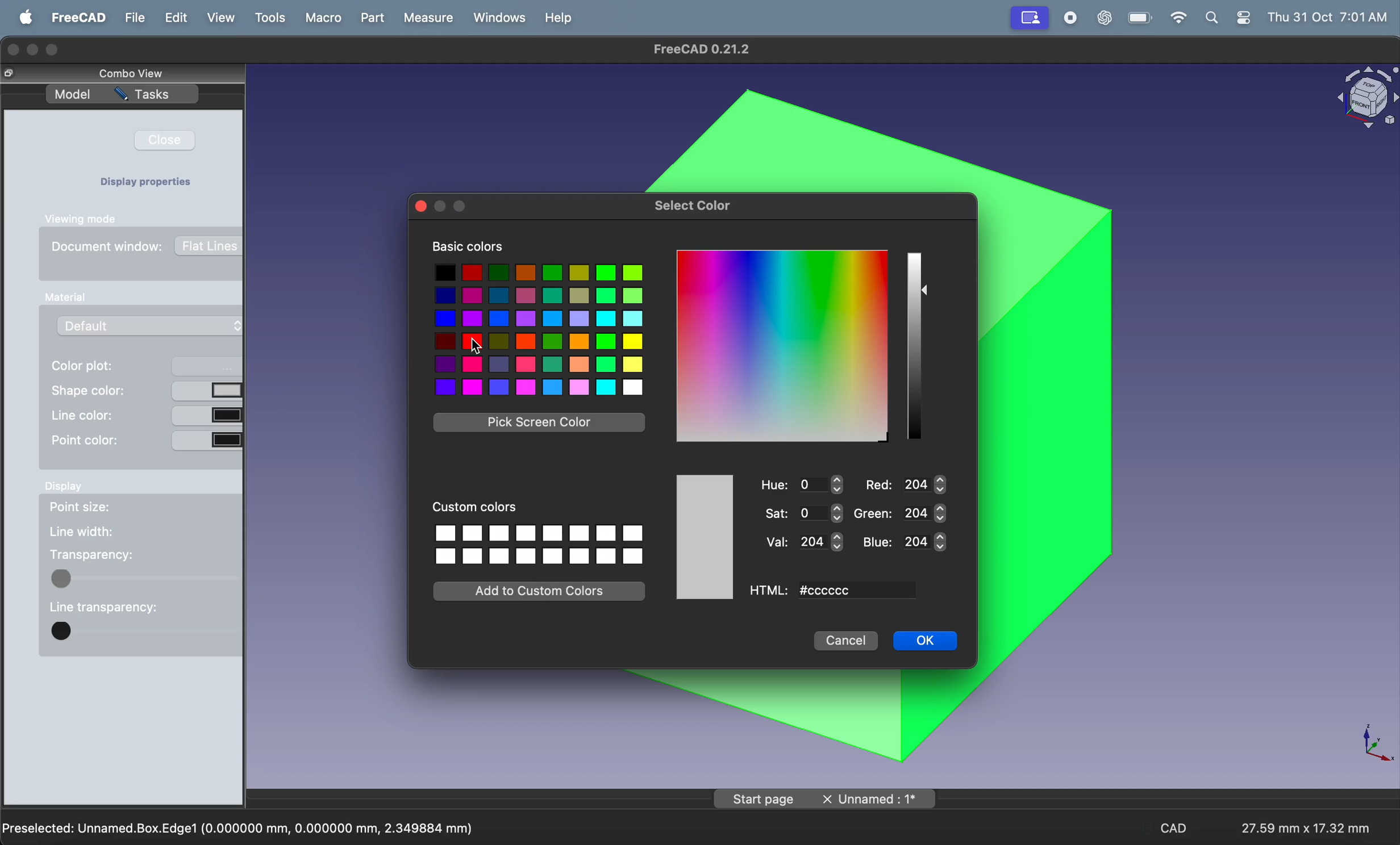 This screenshot has width=1400, height=845. What do you see at coordinates (66, 490) in the screenshot?
I see `display` at bounding box center [66, 490].